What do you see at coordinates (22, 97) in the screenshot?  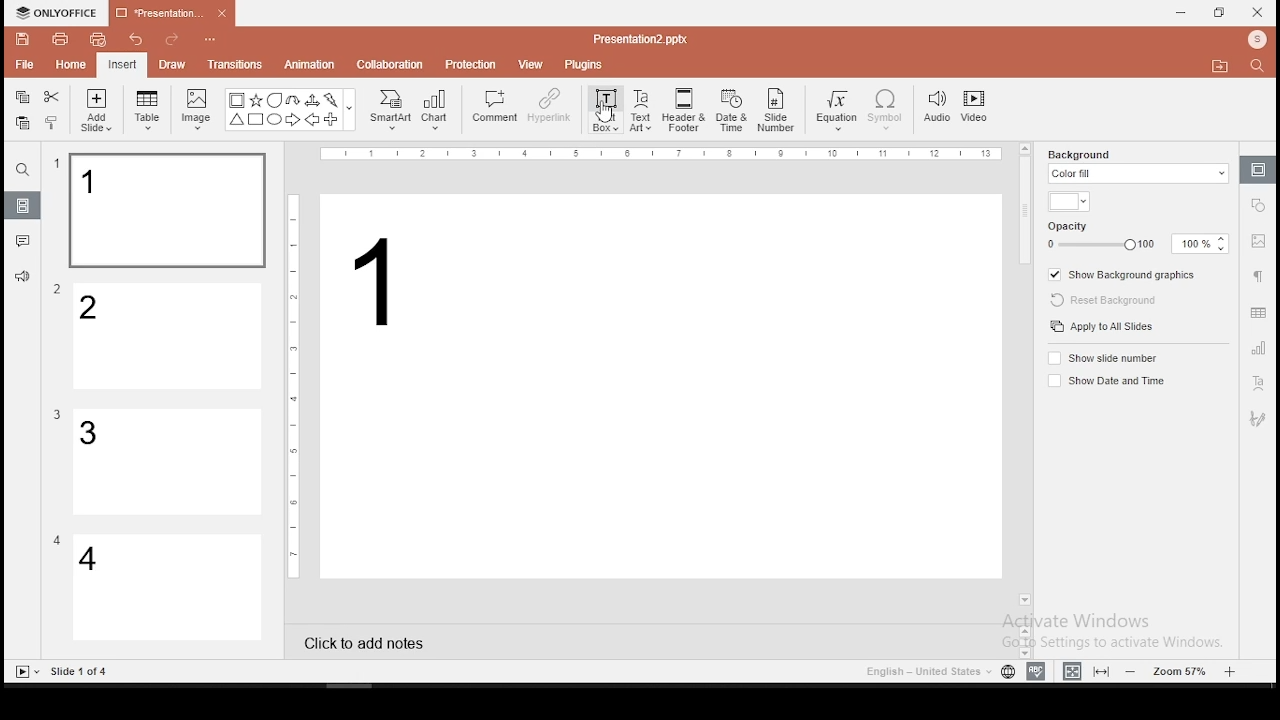 I see `copy` at bounding box center [22, 97].